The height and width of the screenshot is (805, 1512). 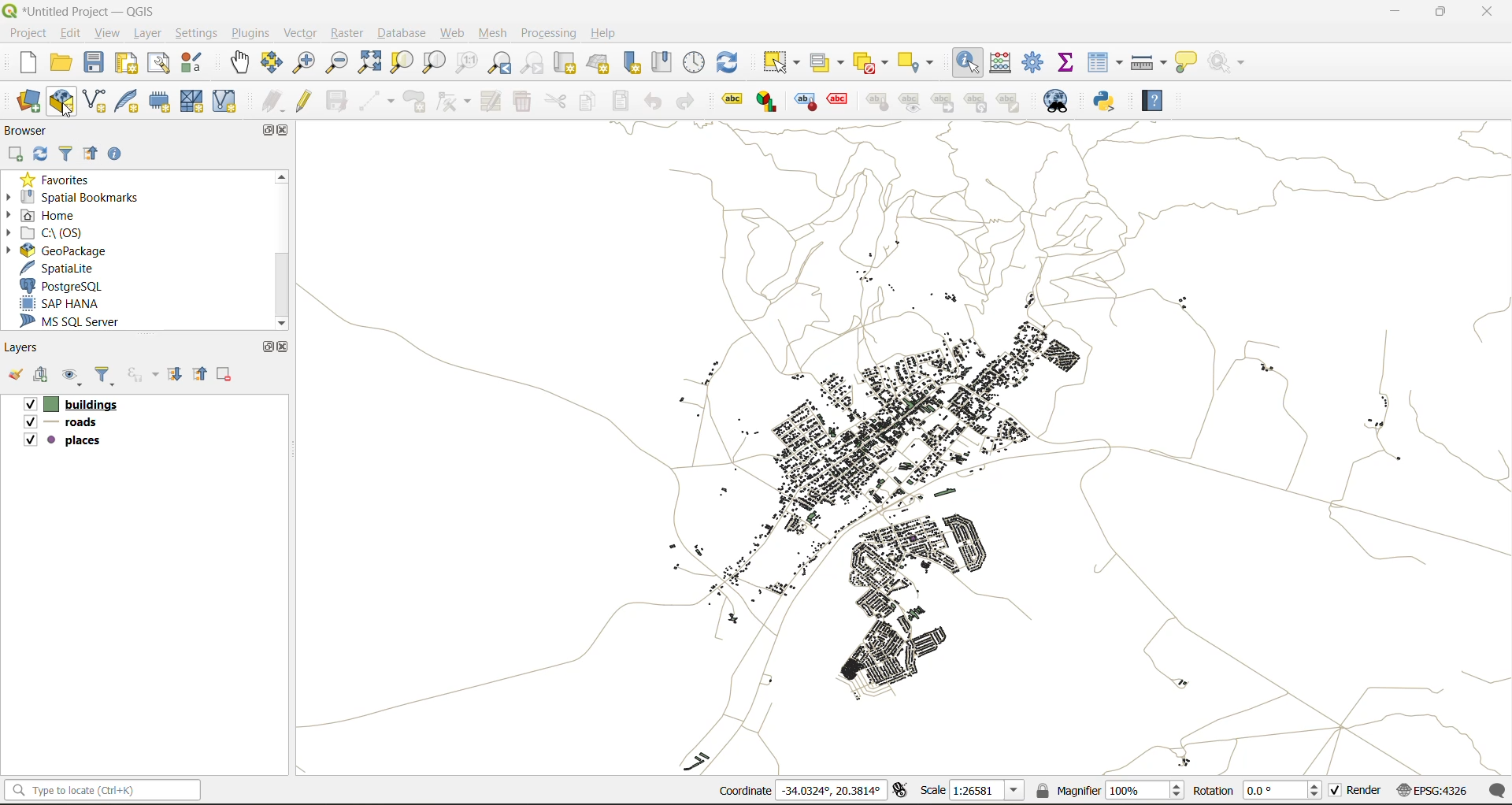 What do you see at coordinates (27, 32) in the screenshot?
I see `project` at bounding box center [27, 32].